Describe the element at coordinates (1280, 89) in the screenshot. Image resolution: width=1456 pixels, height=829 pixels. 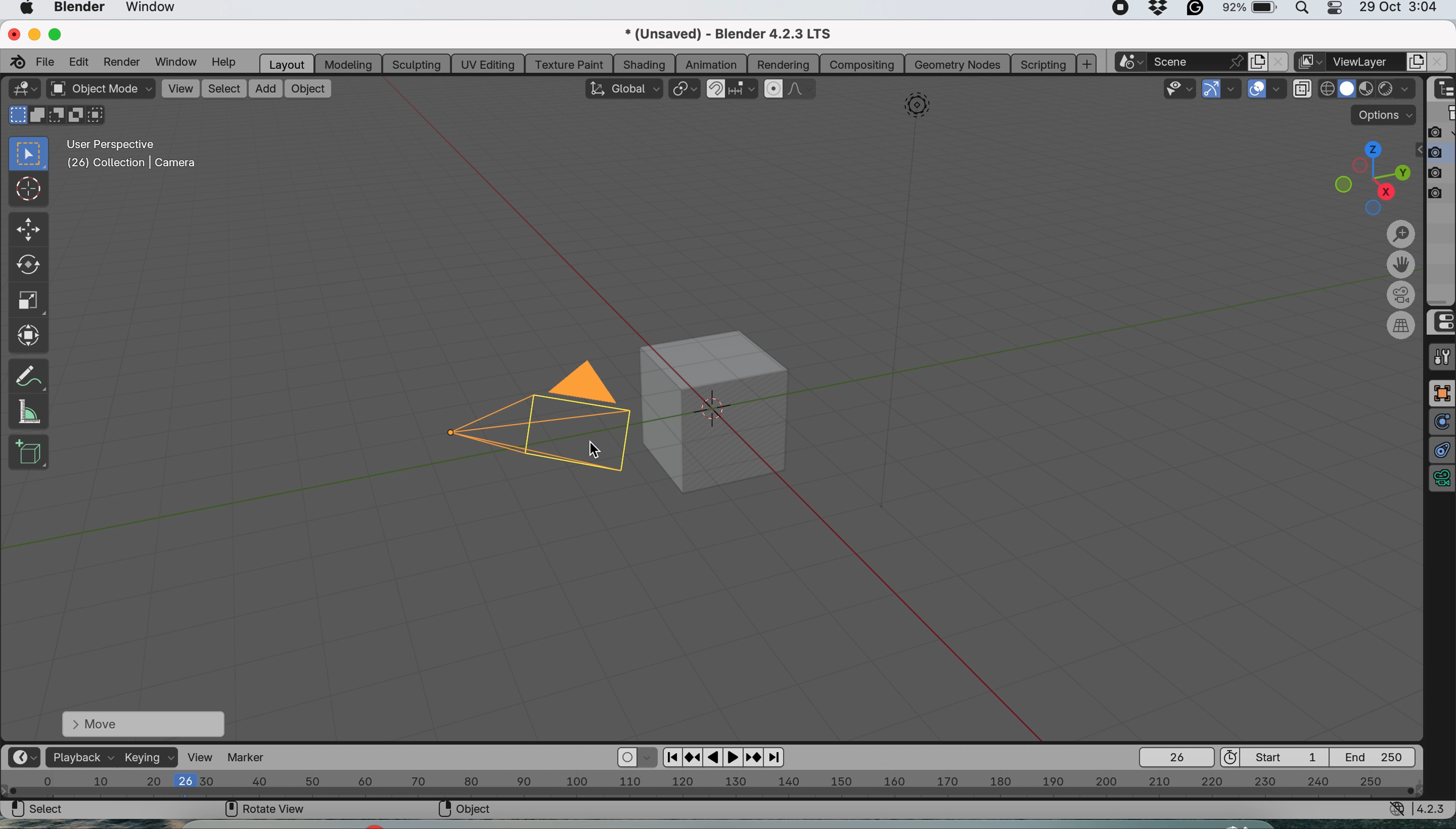
I see `overlays` at that location.